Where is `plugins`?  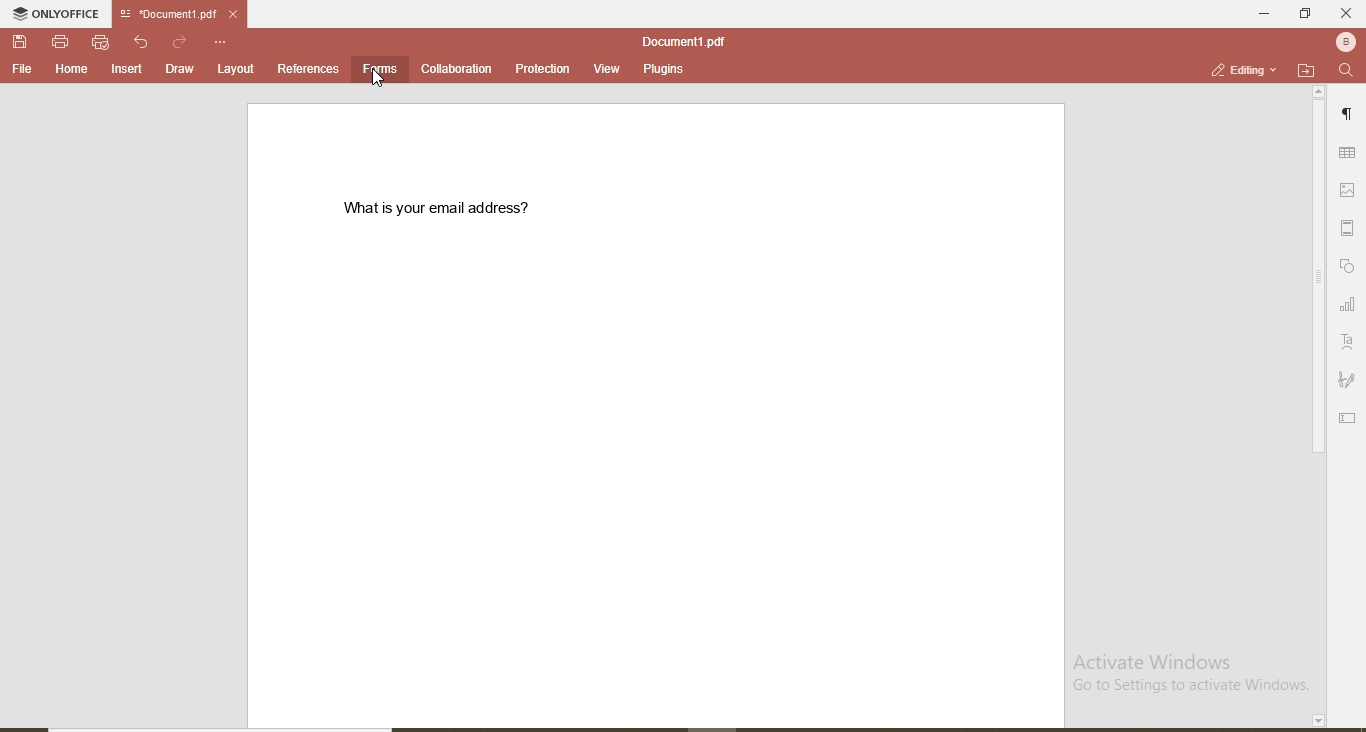
plugins is located at coordinates (662, 71).